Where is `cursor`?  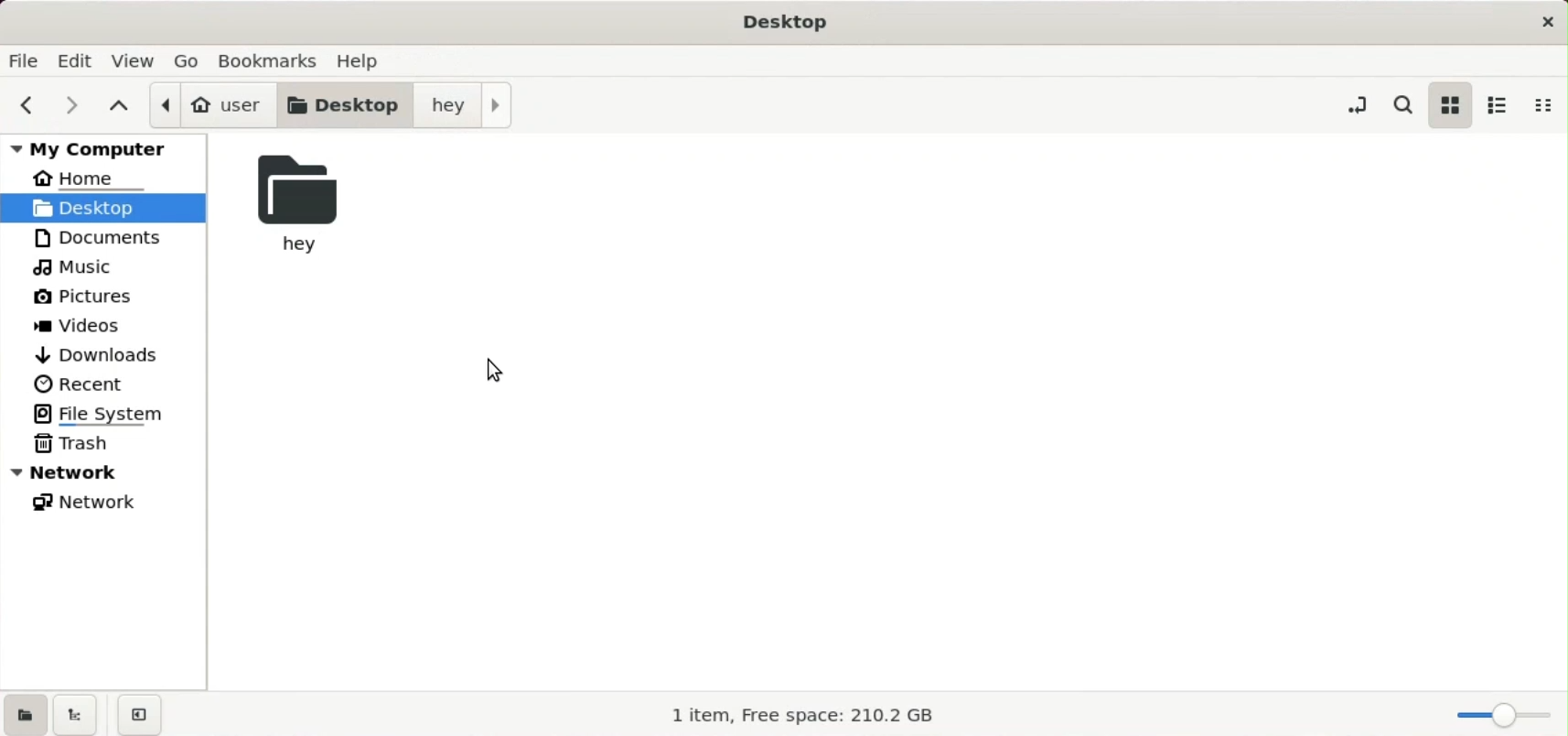 cursor is located at coordinates (496, 370).